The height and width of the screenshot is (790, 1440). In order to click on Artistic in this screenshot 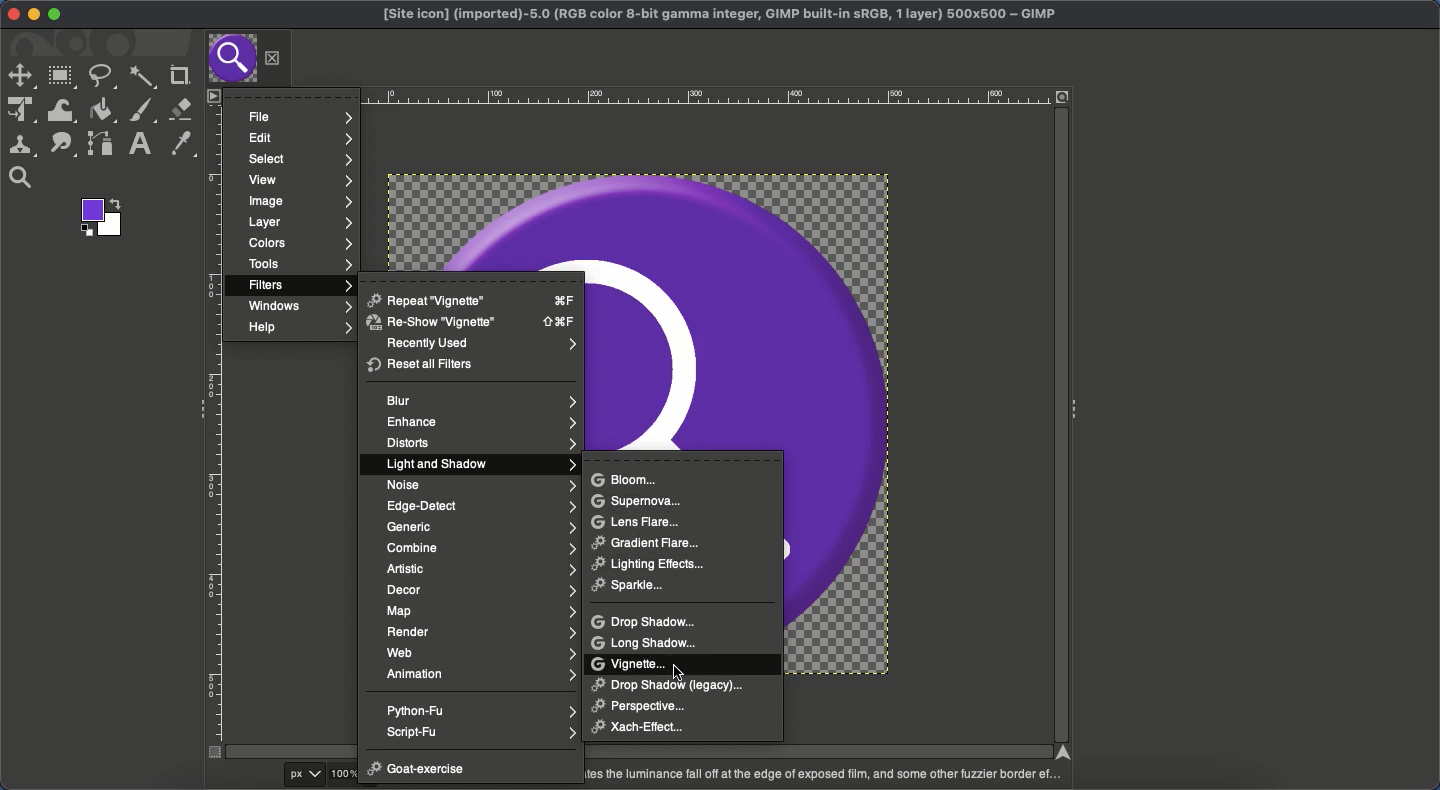, I will do `click(480, 570)`.